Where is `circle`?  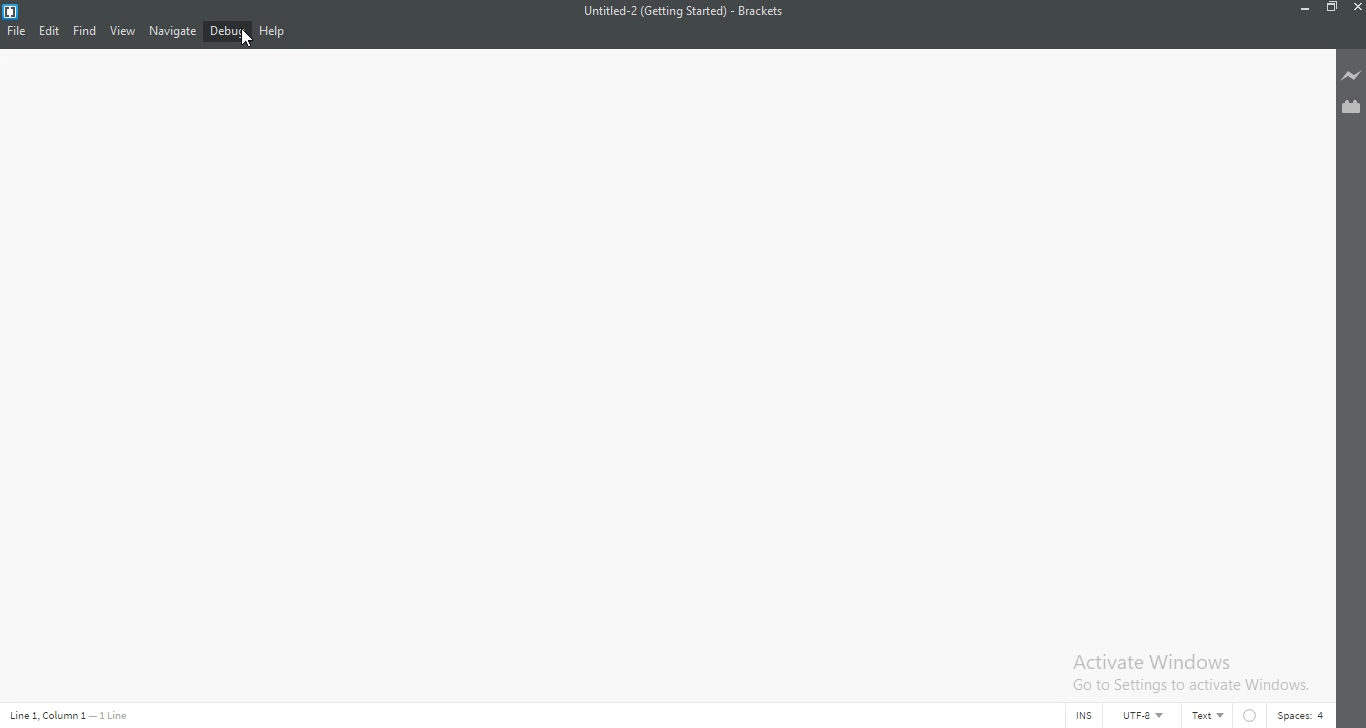 circle is located at coordinates (1253, 714).